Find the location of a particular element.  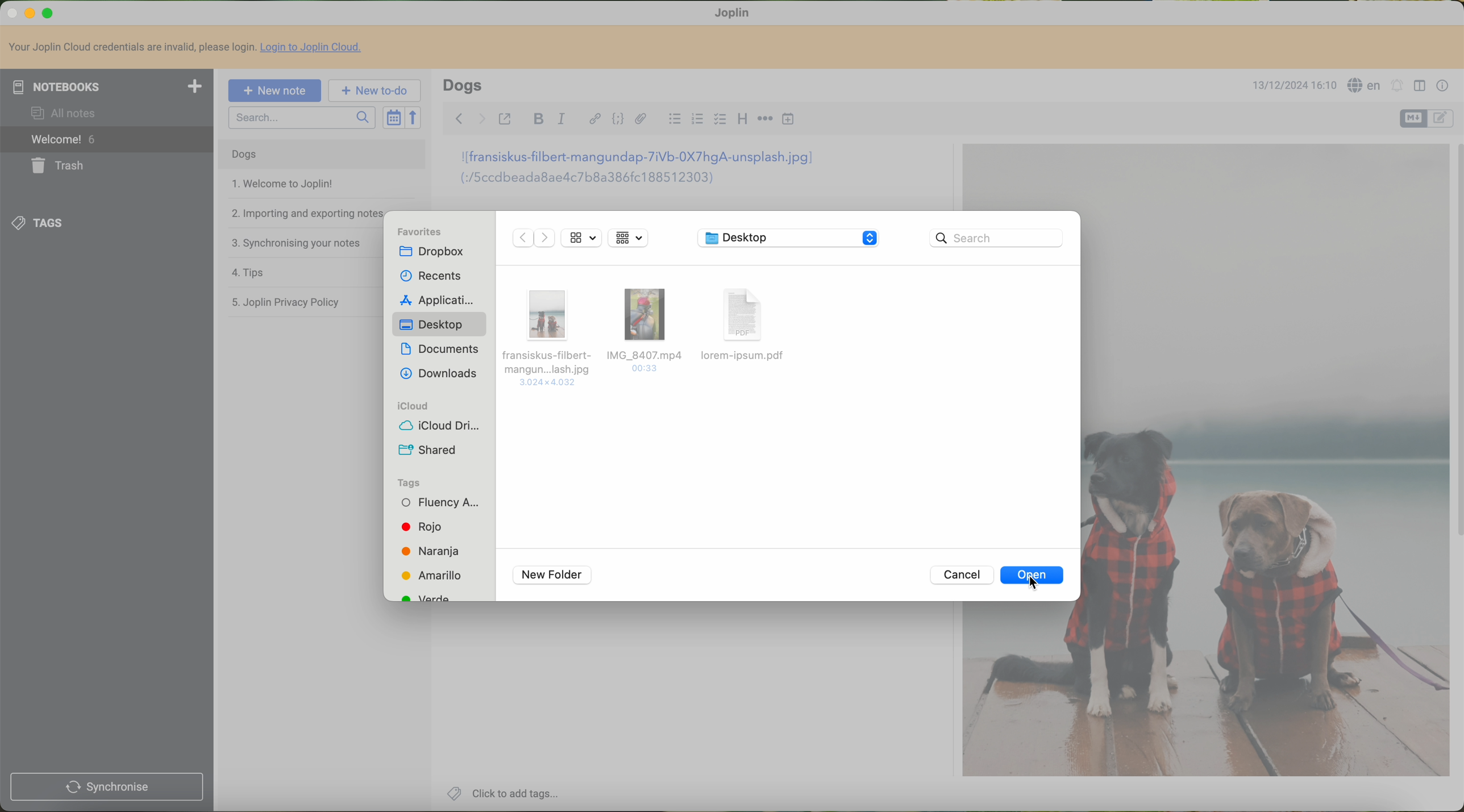

13/12/2024 16:10 is located at coordinates (1292, 86).